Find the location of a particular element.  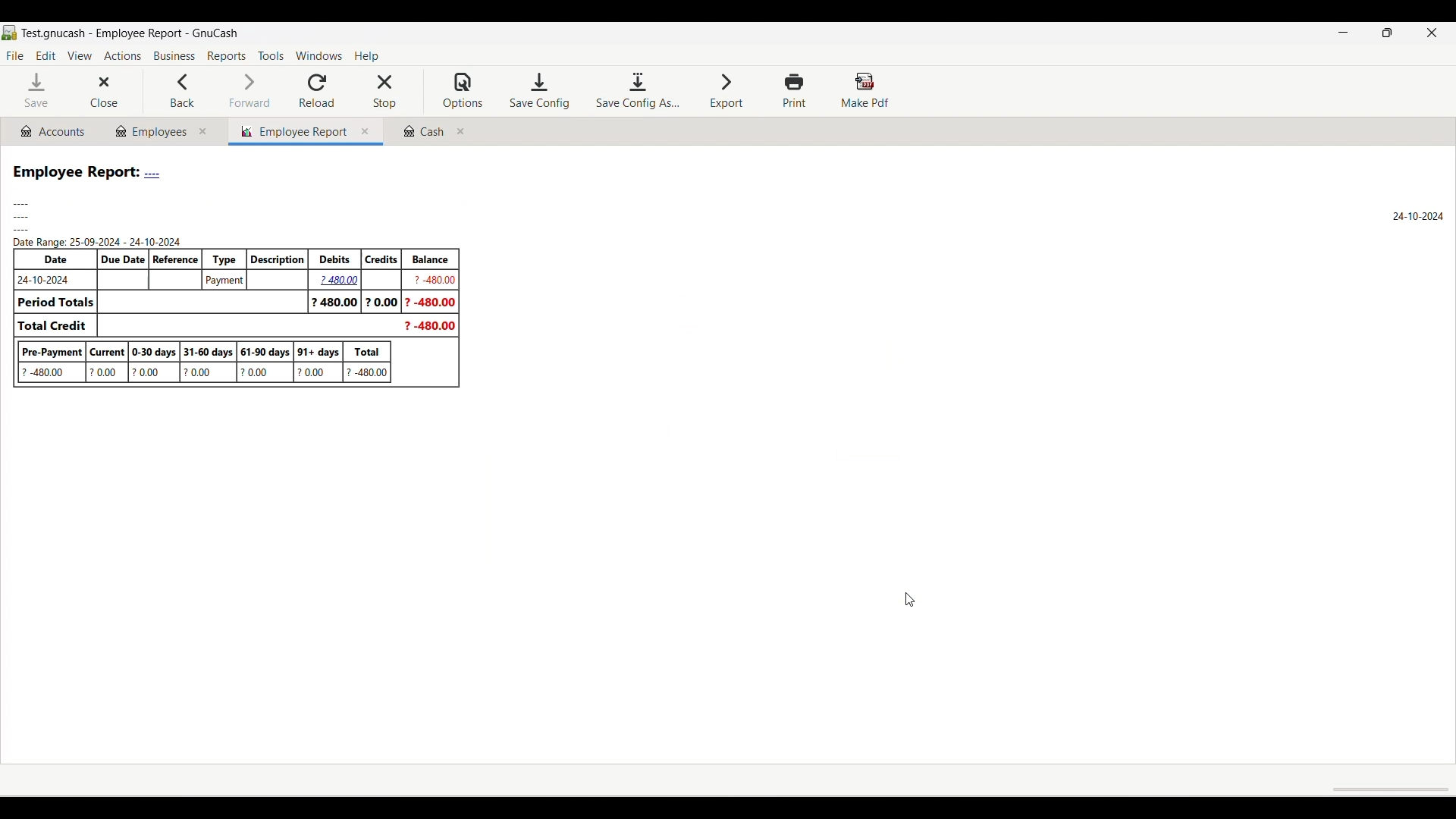

End date of report is located at coordinates (1418, 215).